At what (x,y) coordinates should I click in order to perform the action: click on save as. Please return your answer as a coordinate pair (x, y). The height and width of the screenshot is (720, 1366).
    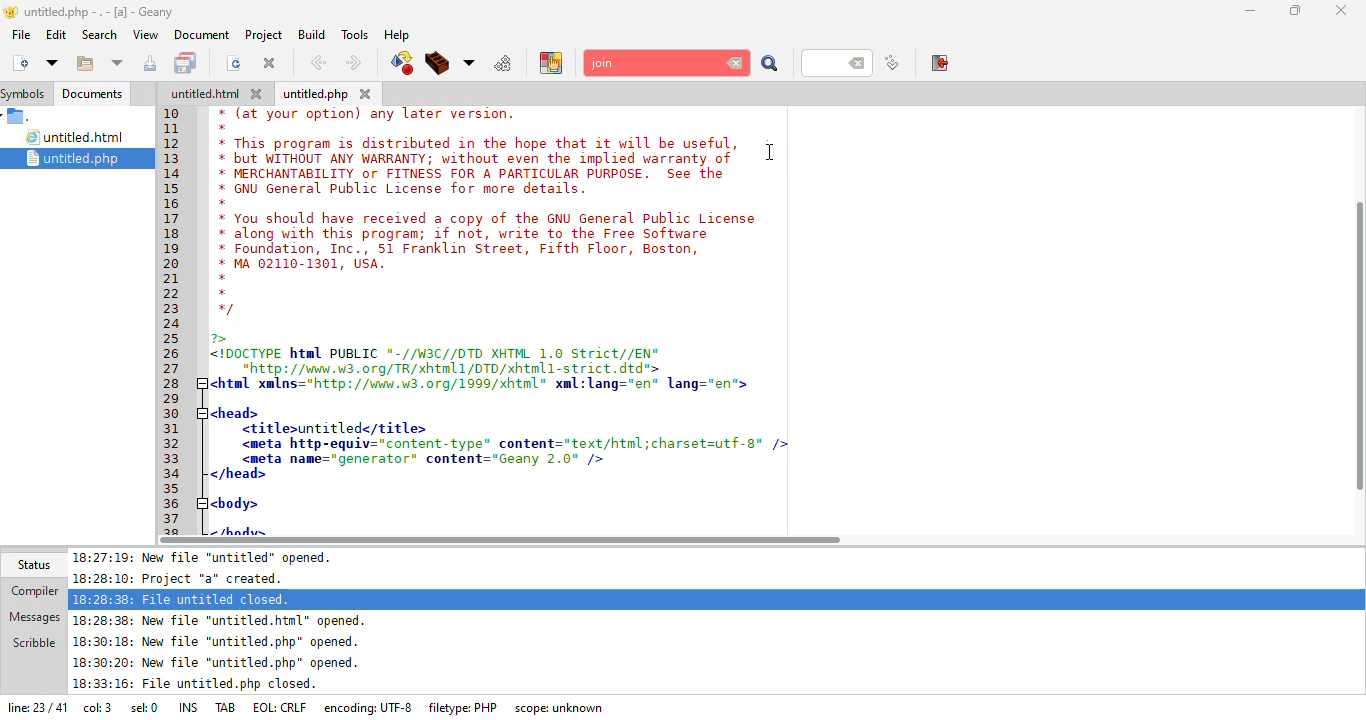
    Looking at the image, I should click on (152, 63).